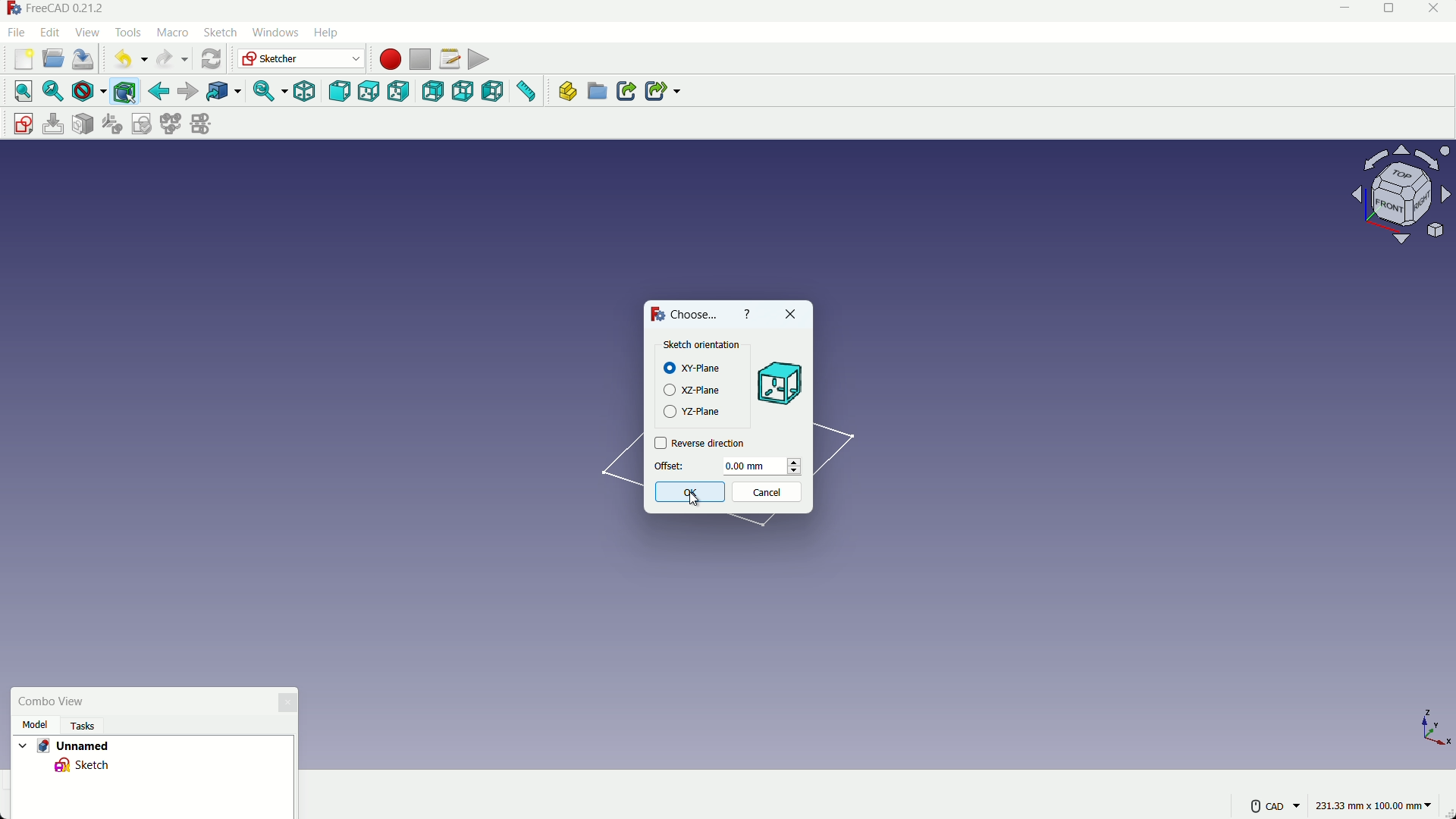 This screenshot has width=1456, height=819. Describe the element at coordinates (54, 124) in the screenshot. I see `edit sketch` at that location.